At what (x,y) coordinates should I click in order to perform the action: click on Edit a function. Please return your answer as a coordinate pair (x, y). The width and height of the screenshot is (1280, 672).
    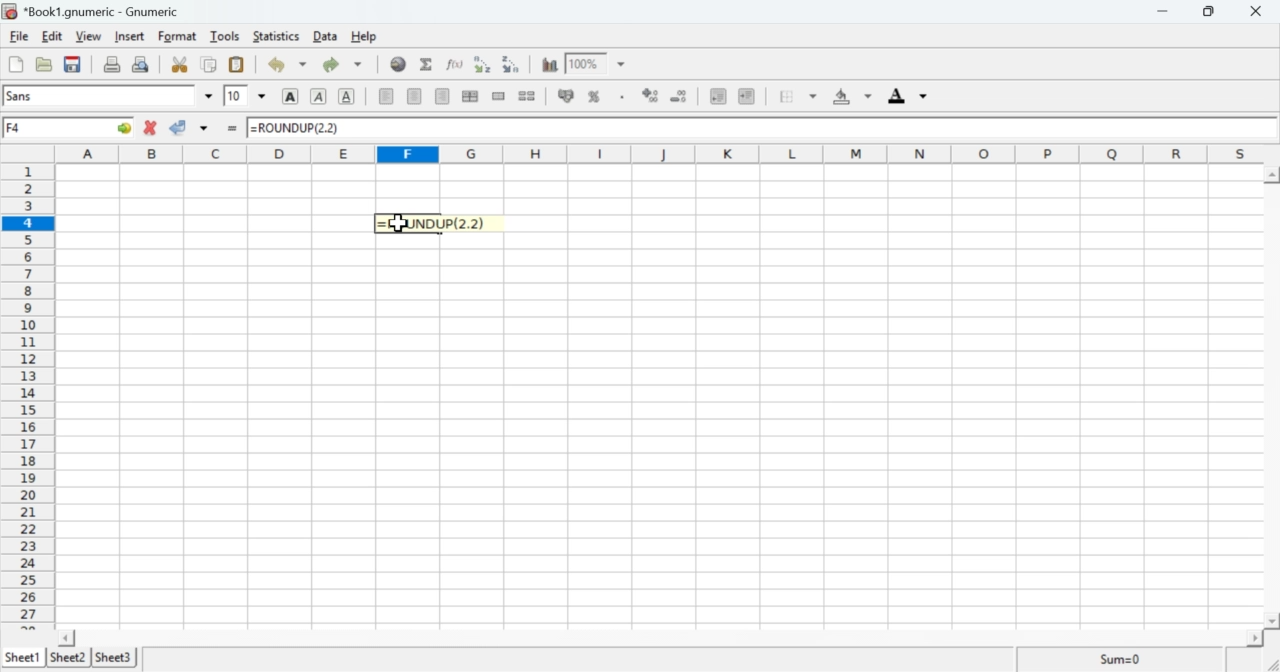
    Looking at the image, I should click on (455, 63).